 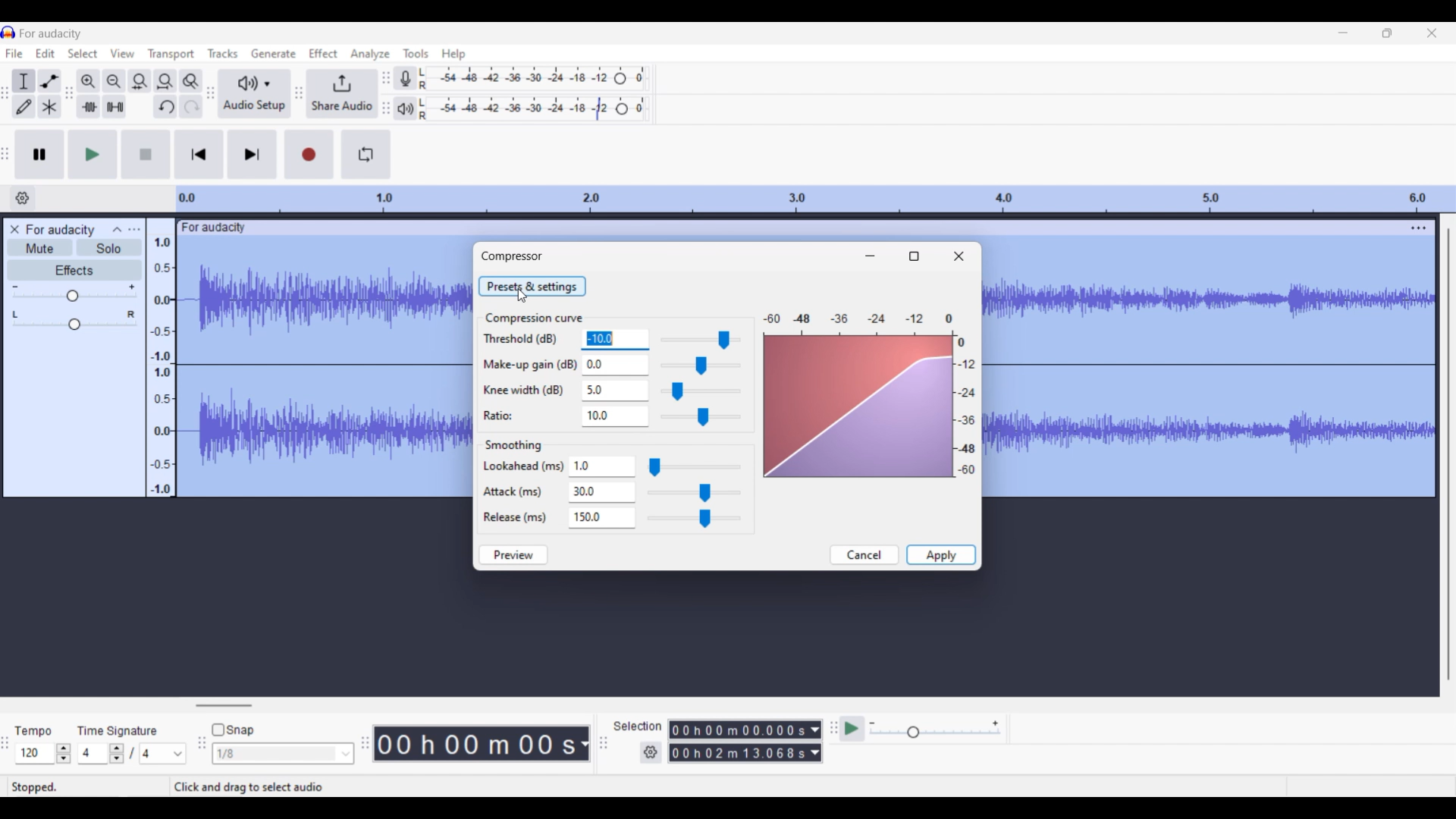 What do you see at coordinates (870, 256) in the screenshot?
I see `Minimize` at bounding box center [870, 256].